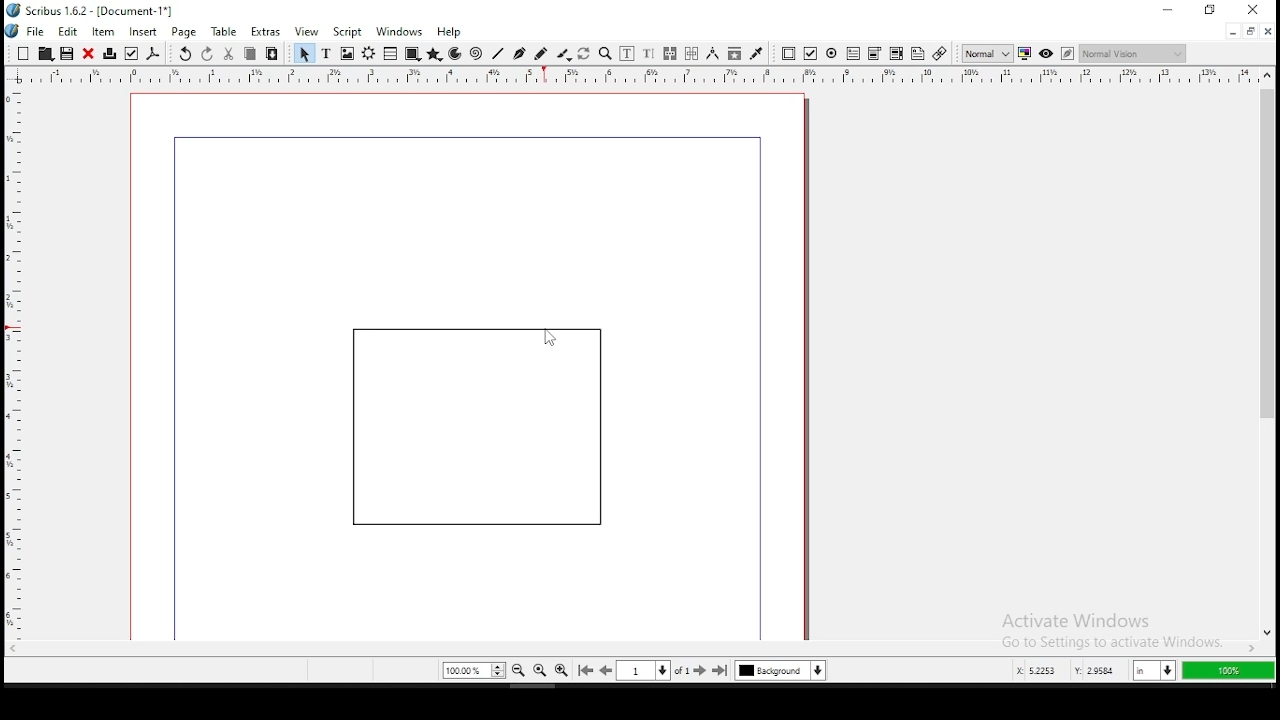  I want to click on restore, so click(1251, 33).